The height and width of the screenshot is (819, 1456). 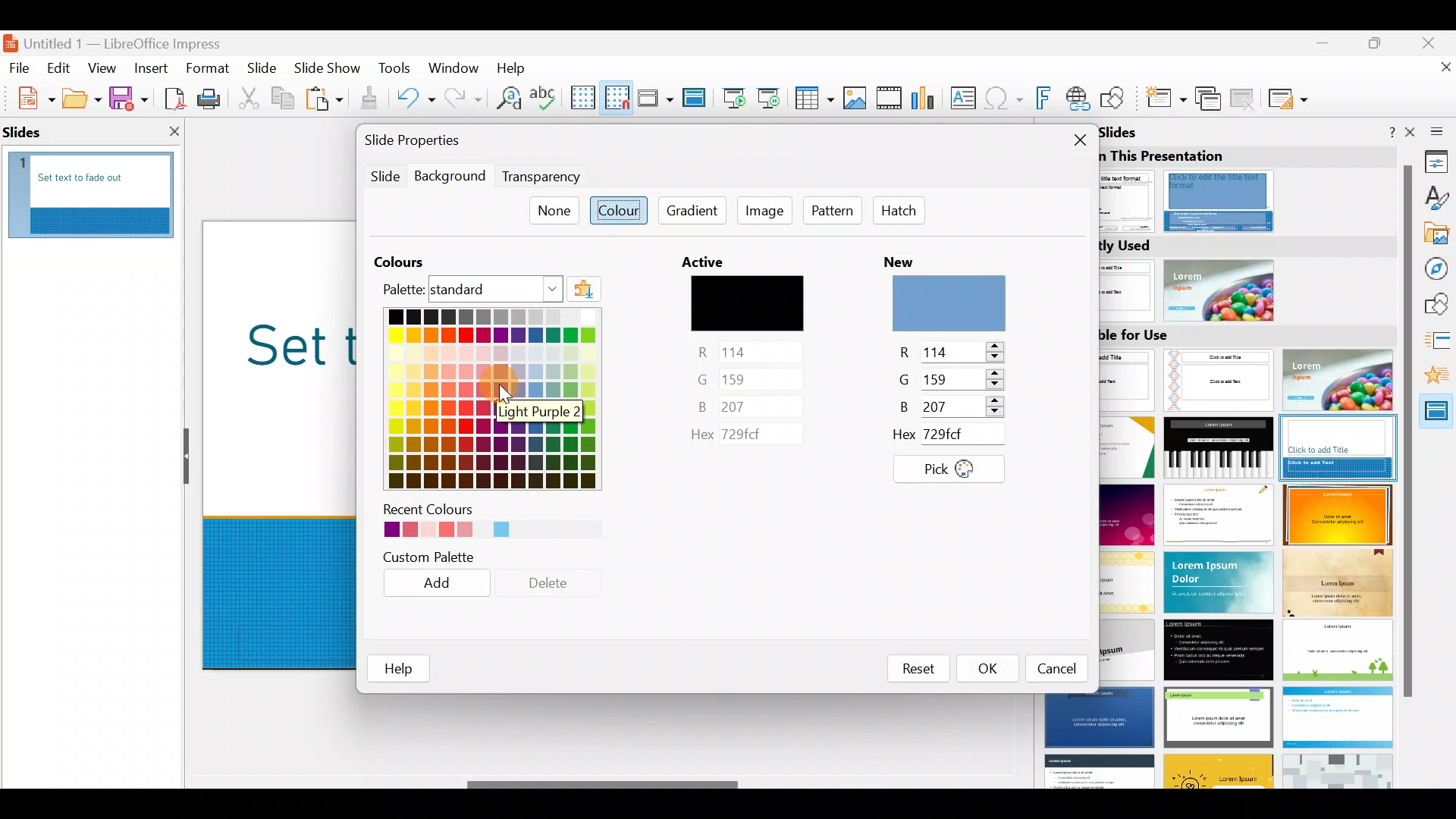 What do you see at coordinates (953, 351) in the screenshot?
I see `red` at bounding box center [953, 351].